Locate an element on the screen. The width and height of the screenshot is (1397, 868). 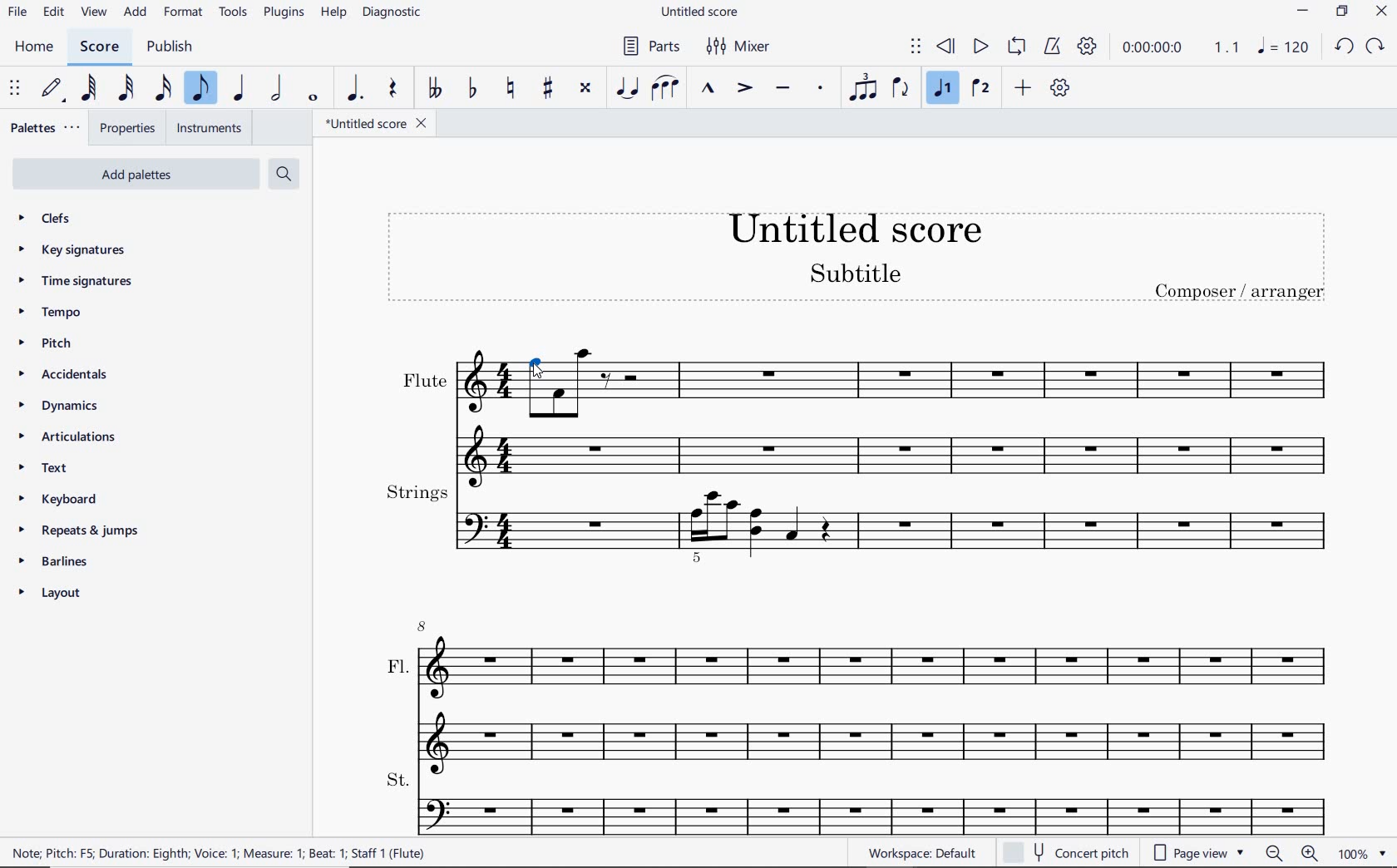
HALF NOTE is located at coordinates (279, 90).